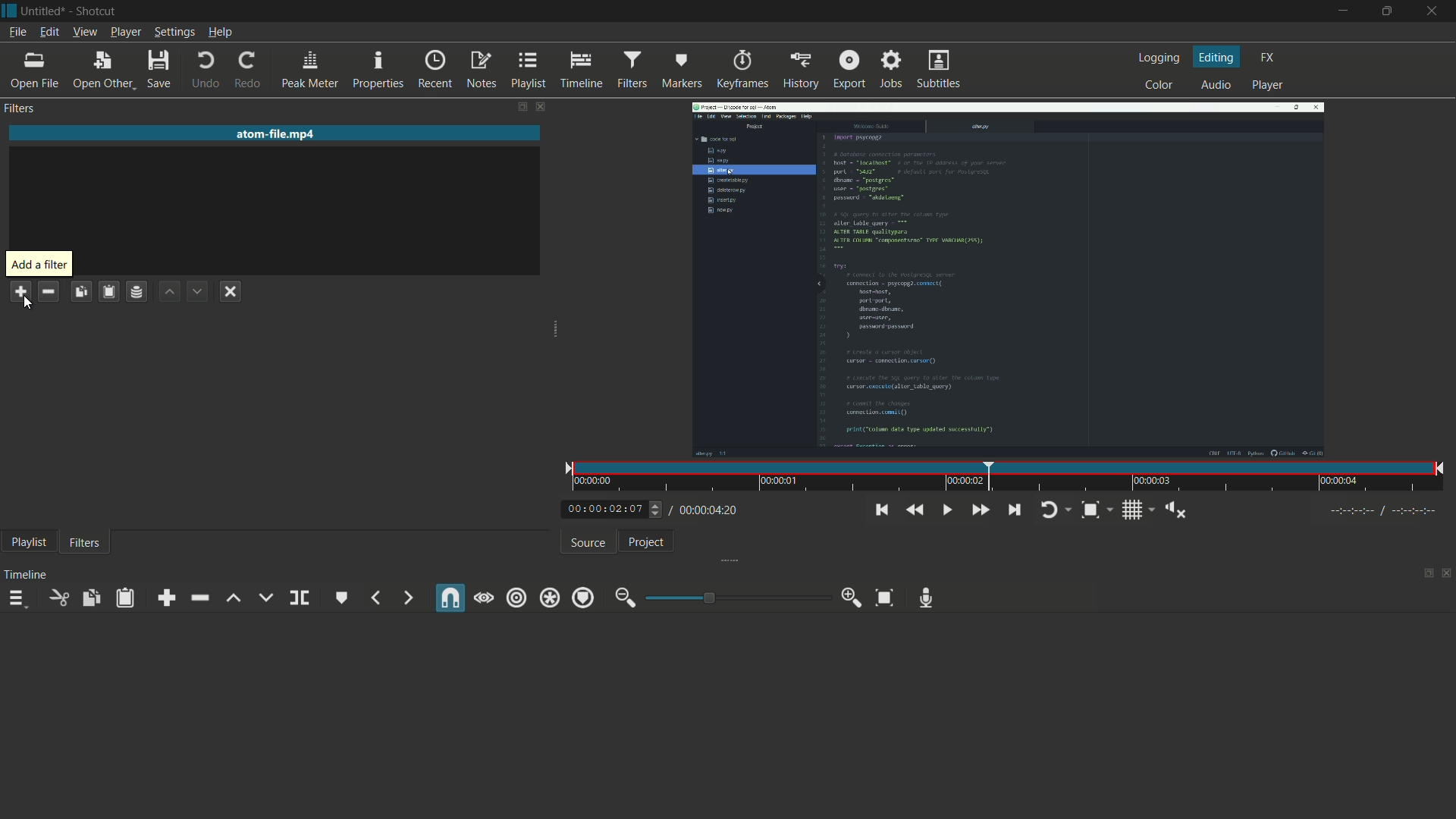 This screenshot has height=819, width=1456. What do you see at coordinates (109, 292) in the screenshot?
I see `paste filters` at bounding box center [109, 292].